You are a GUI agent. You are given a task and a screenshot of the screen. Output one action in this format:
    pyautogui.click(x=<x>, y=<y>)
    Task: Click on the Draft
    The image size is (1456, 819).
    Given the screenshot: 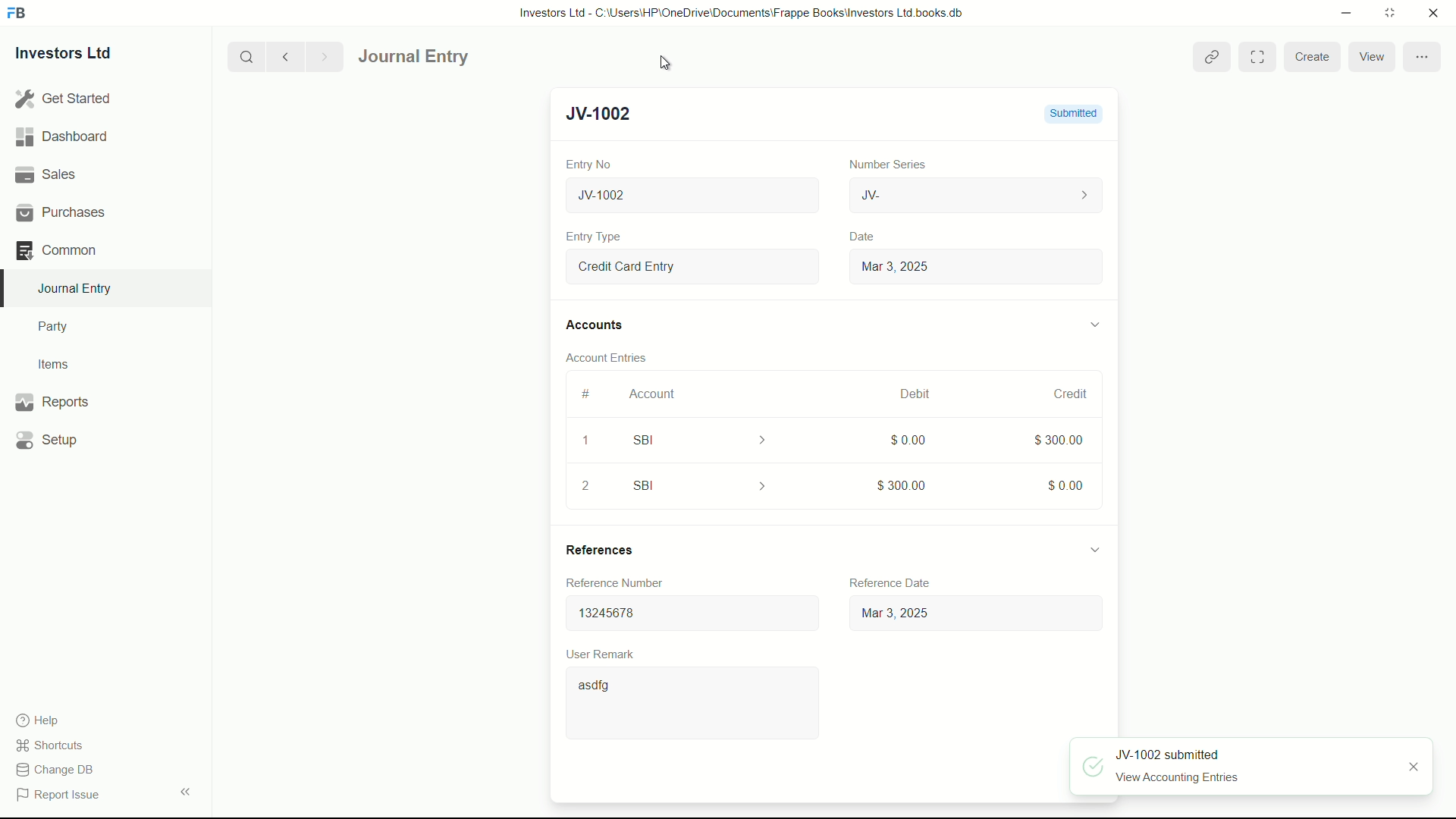 What is the action you would take?
    pyautogui.click(x=1062, y=114)
    